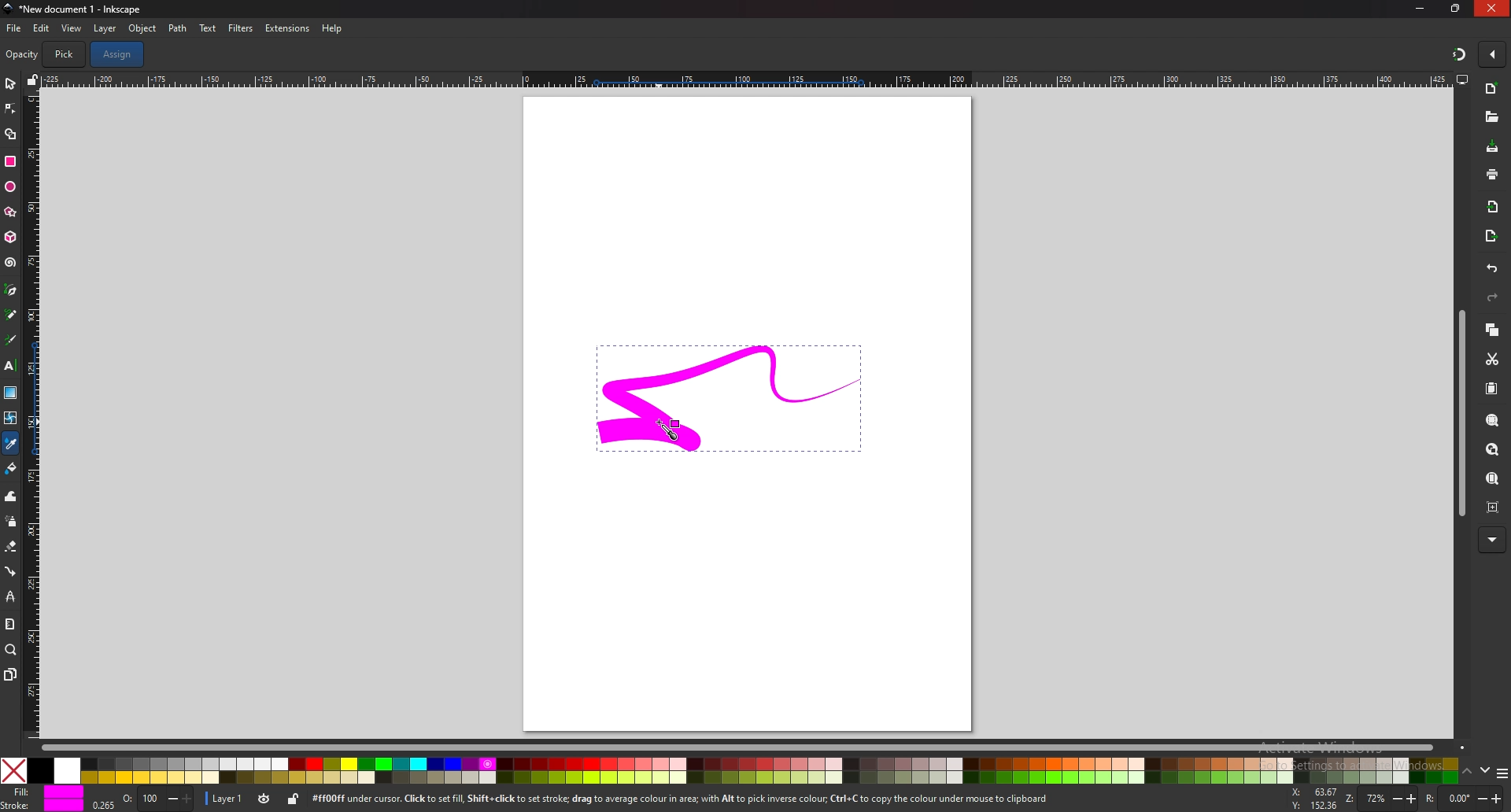 The width and height of the screenshot is (1511, 812). Describe the element at coordinates (1493, 56) in the screenshot. I see `enable snapping` at that location.